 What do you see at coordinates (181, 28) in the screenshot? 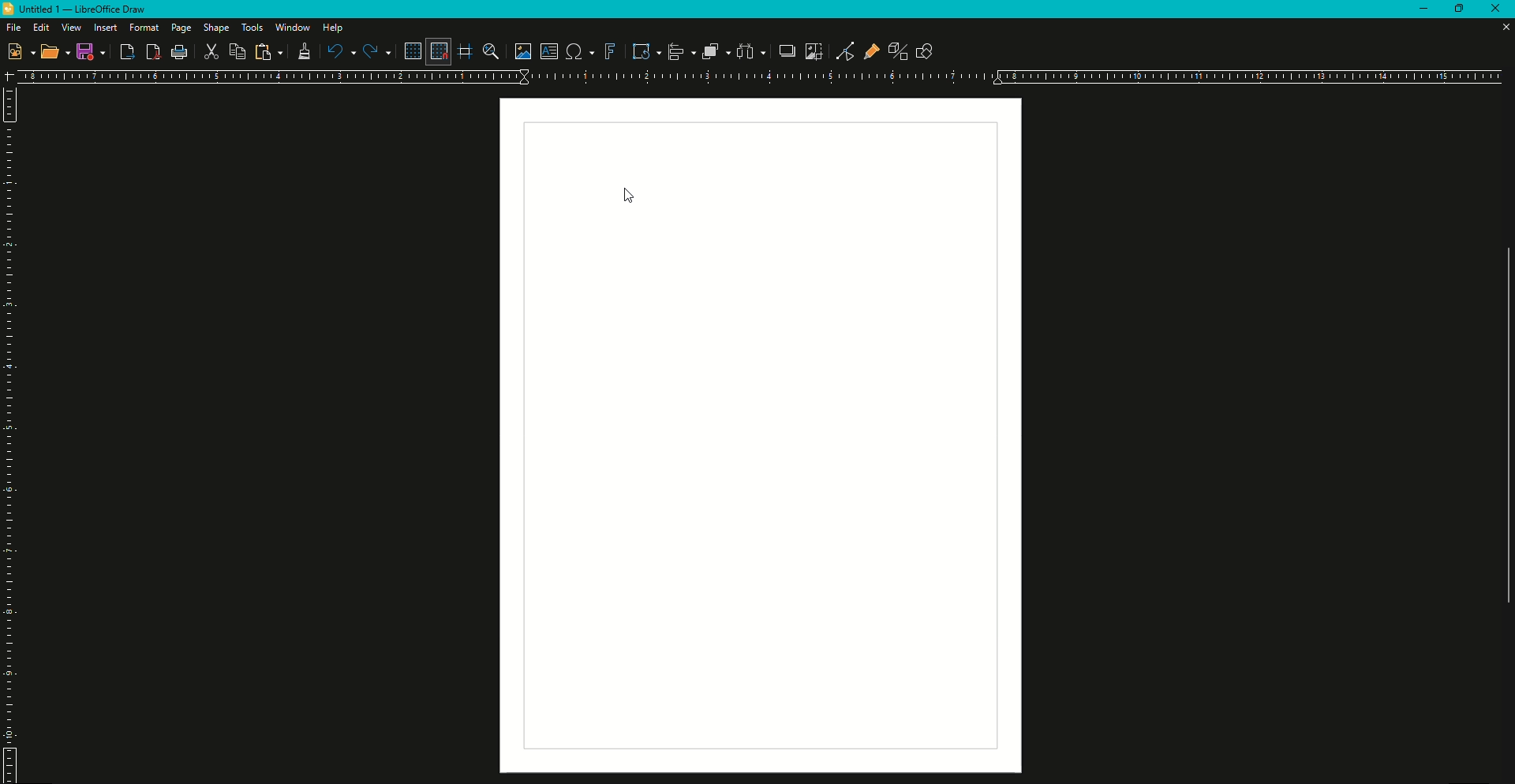
I see `Page` at bounding box center [181, 28].